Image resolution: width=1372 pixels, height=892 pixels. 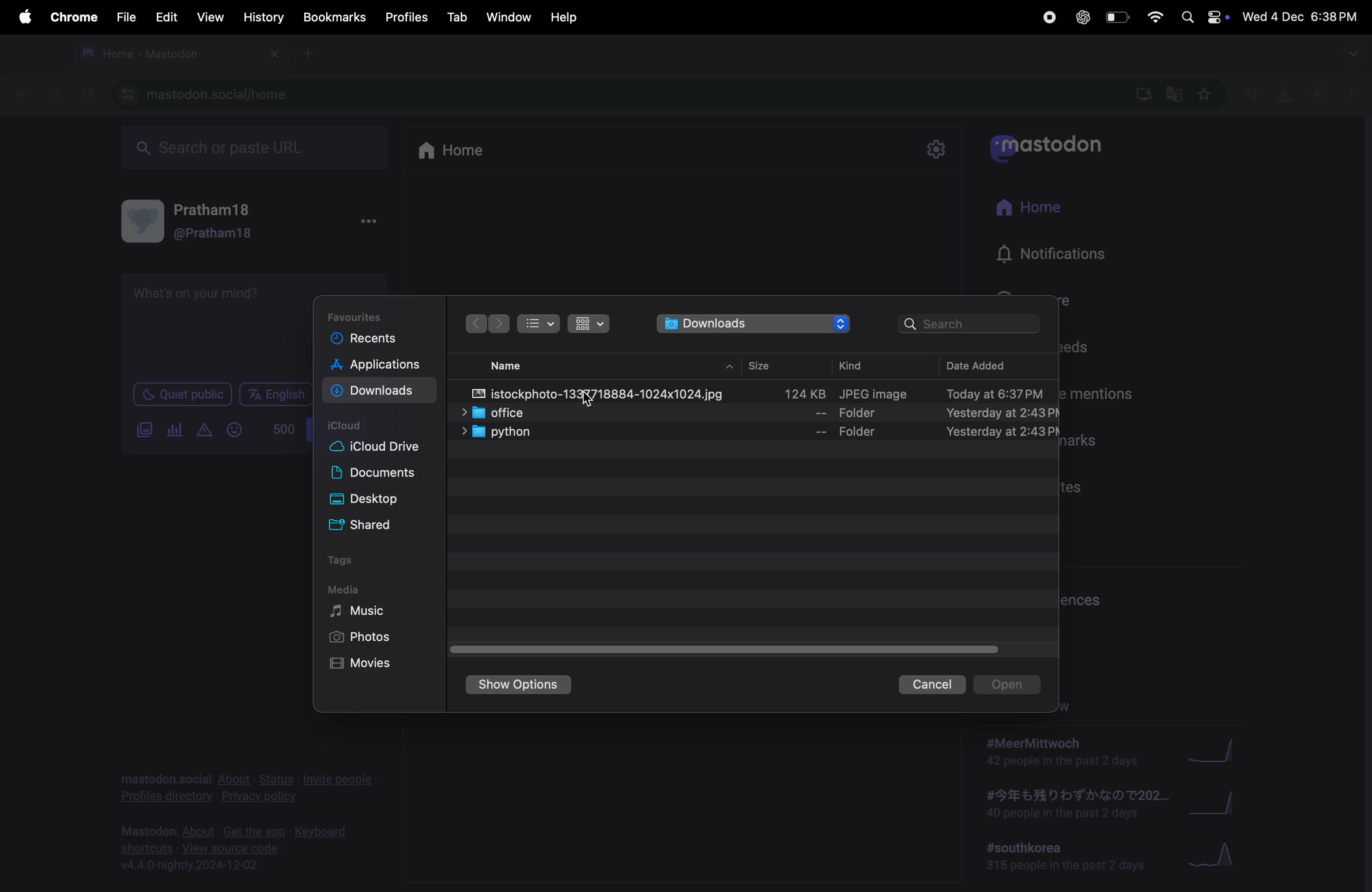 I want to click on kind, so click(x=860, y=364).